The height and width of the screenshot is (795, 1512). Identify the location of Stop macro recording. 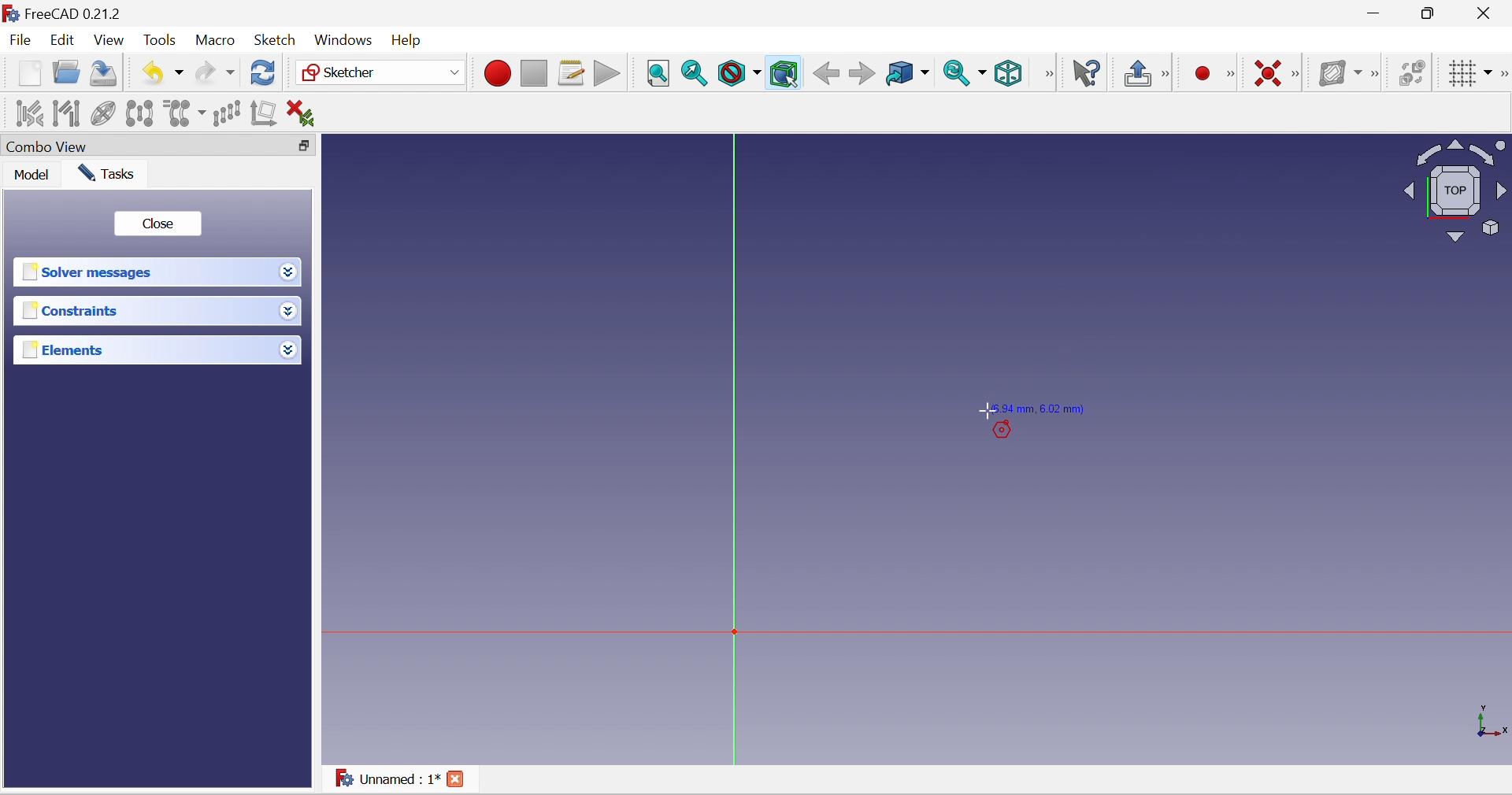
(534, 72).